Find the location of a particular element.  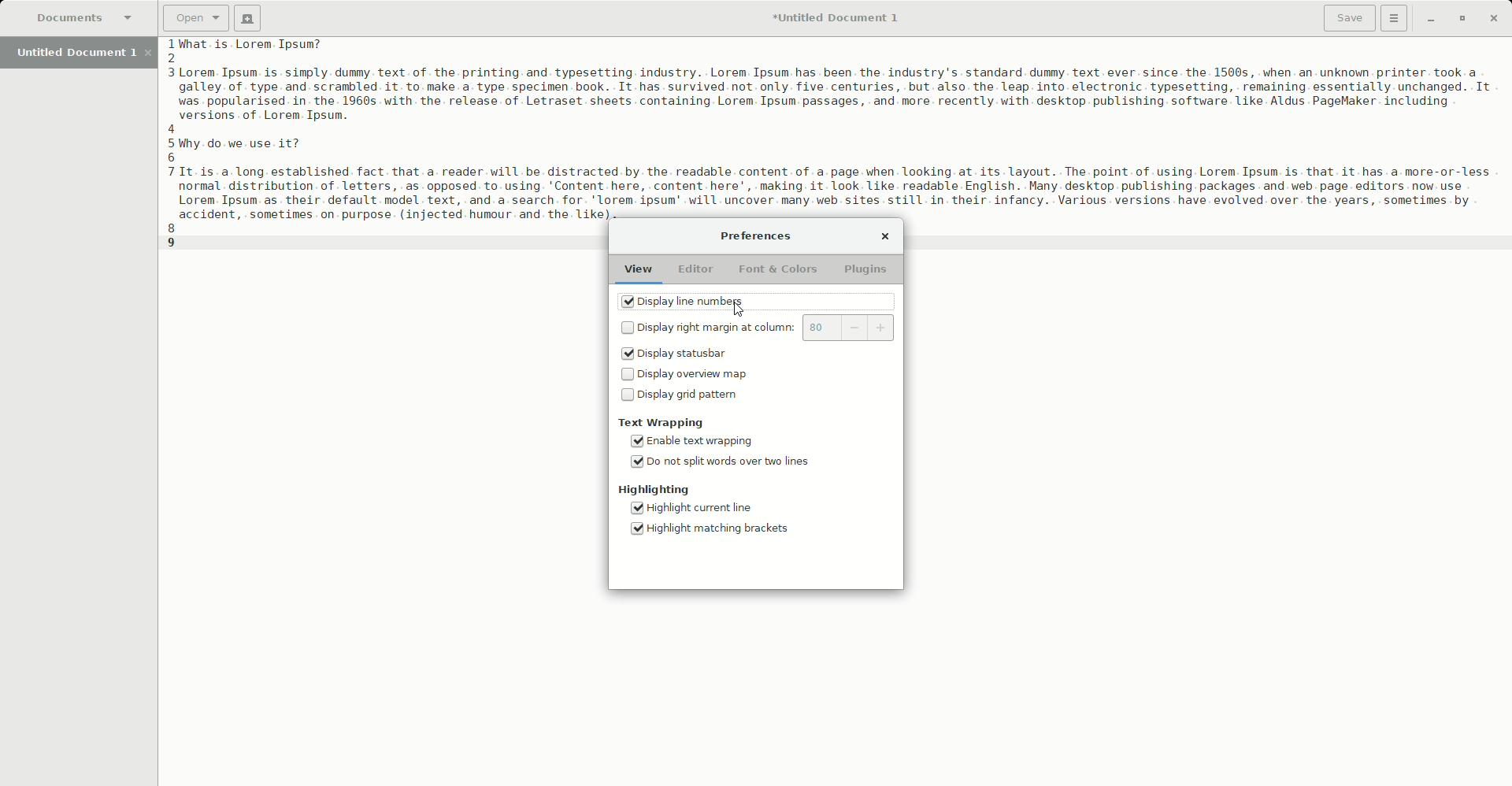

Minimize is located at coordinates (1426, 20).